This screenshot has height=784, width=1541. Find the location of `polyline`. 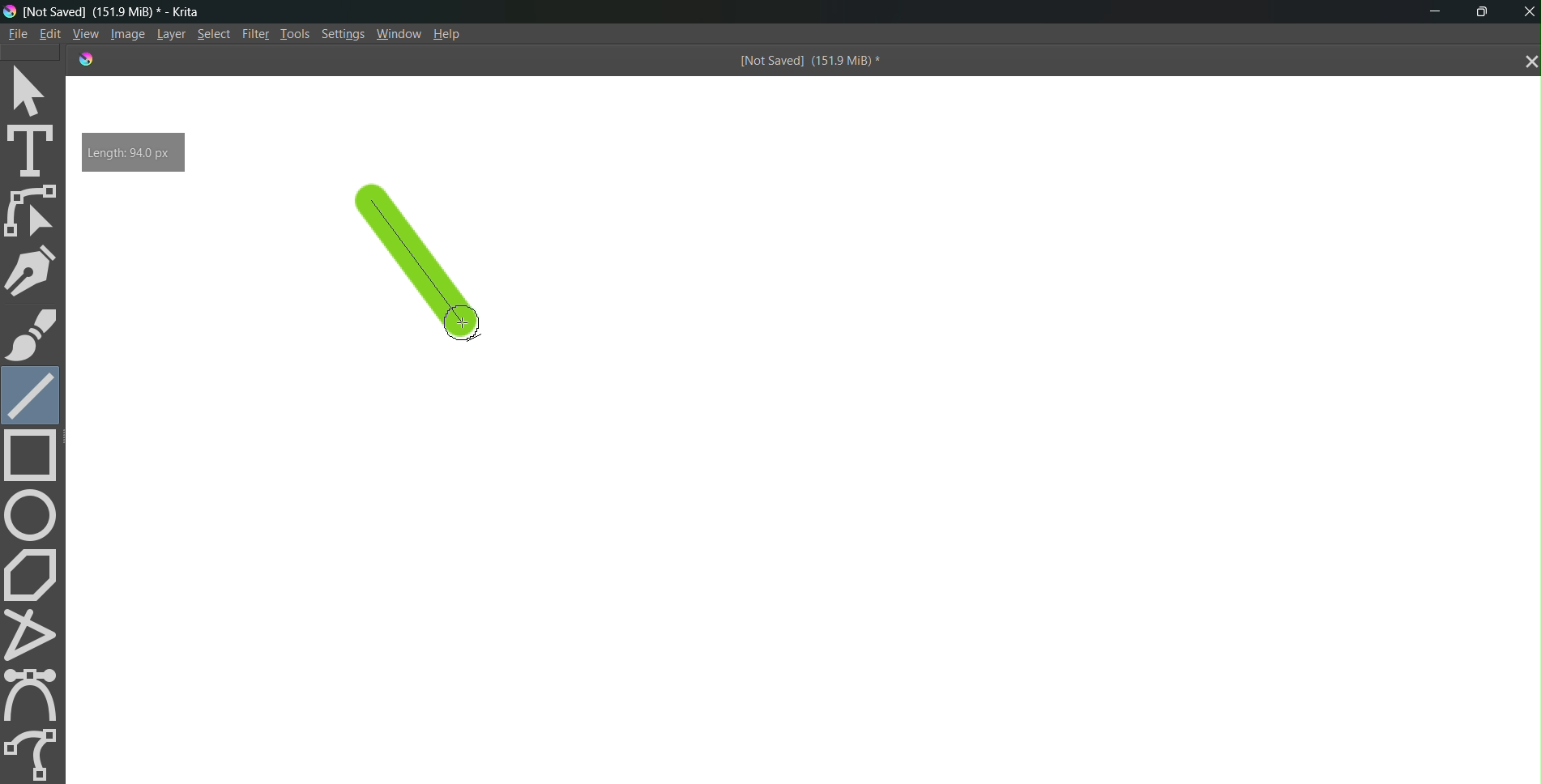

polyline is located at coordinates (36, 634).